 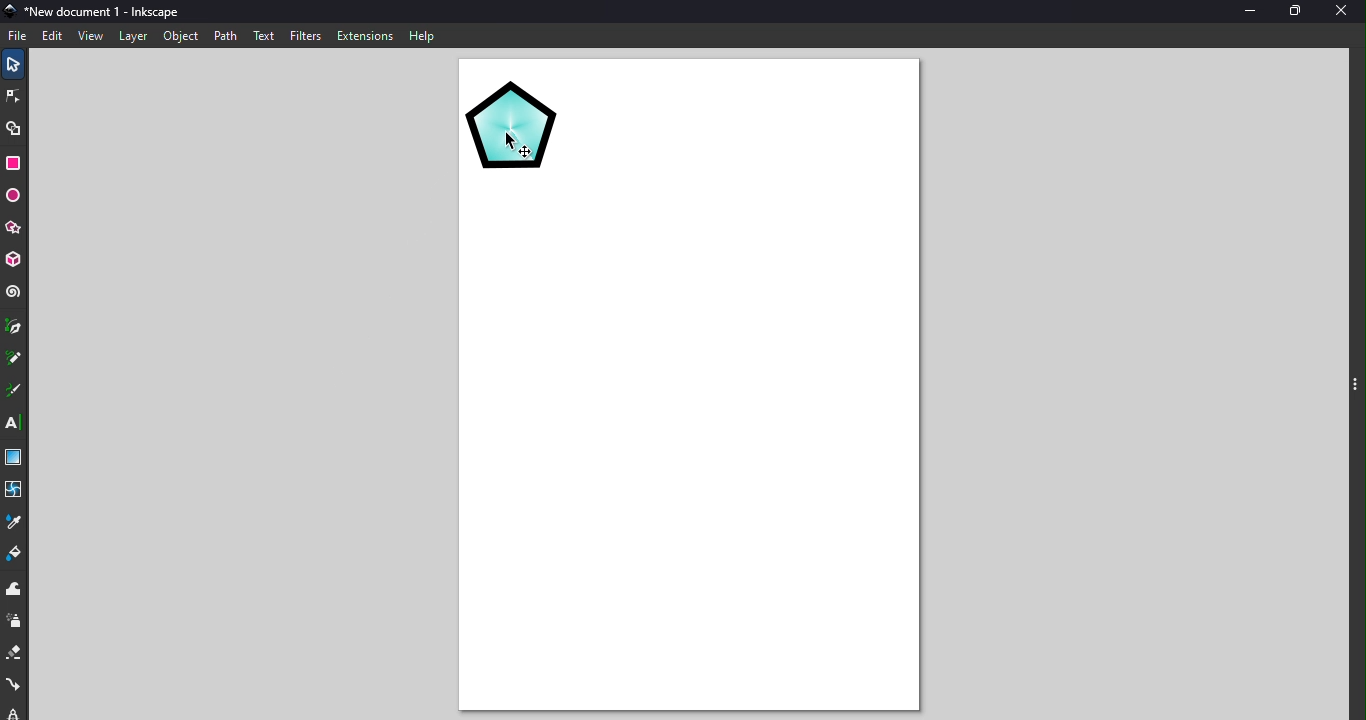 I want to click on lock, so click(x=15, y=711).